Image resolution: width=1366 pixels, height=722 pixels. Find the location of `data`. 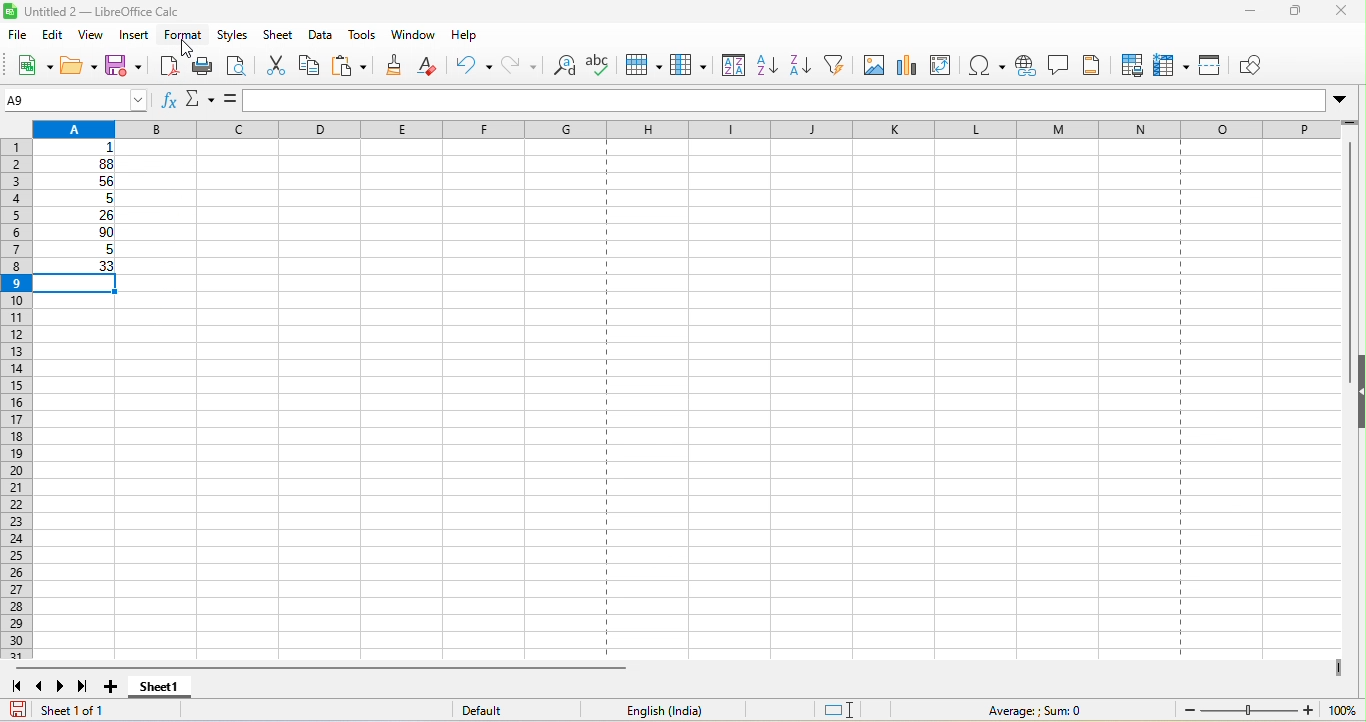

data is located at coordinates (322, 36).